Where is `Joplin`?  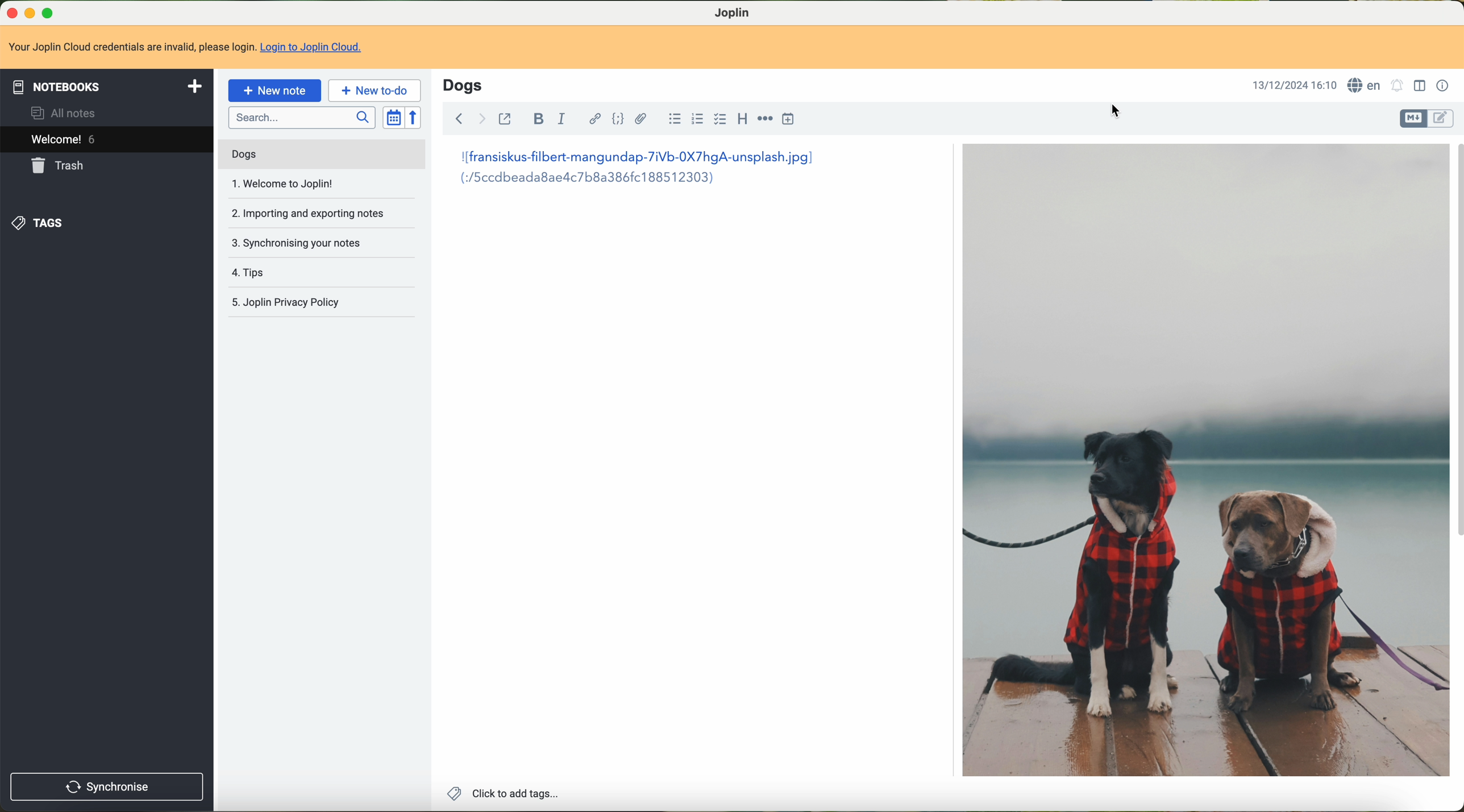
Joplin is located at coordinates (734, 12).